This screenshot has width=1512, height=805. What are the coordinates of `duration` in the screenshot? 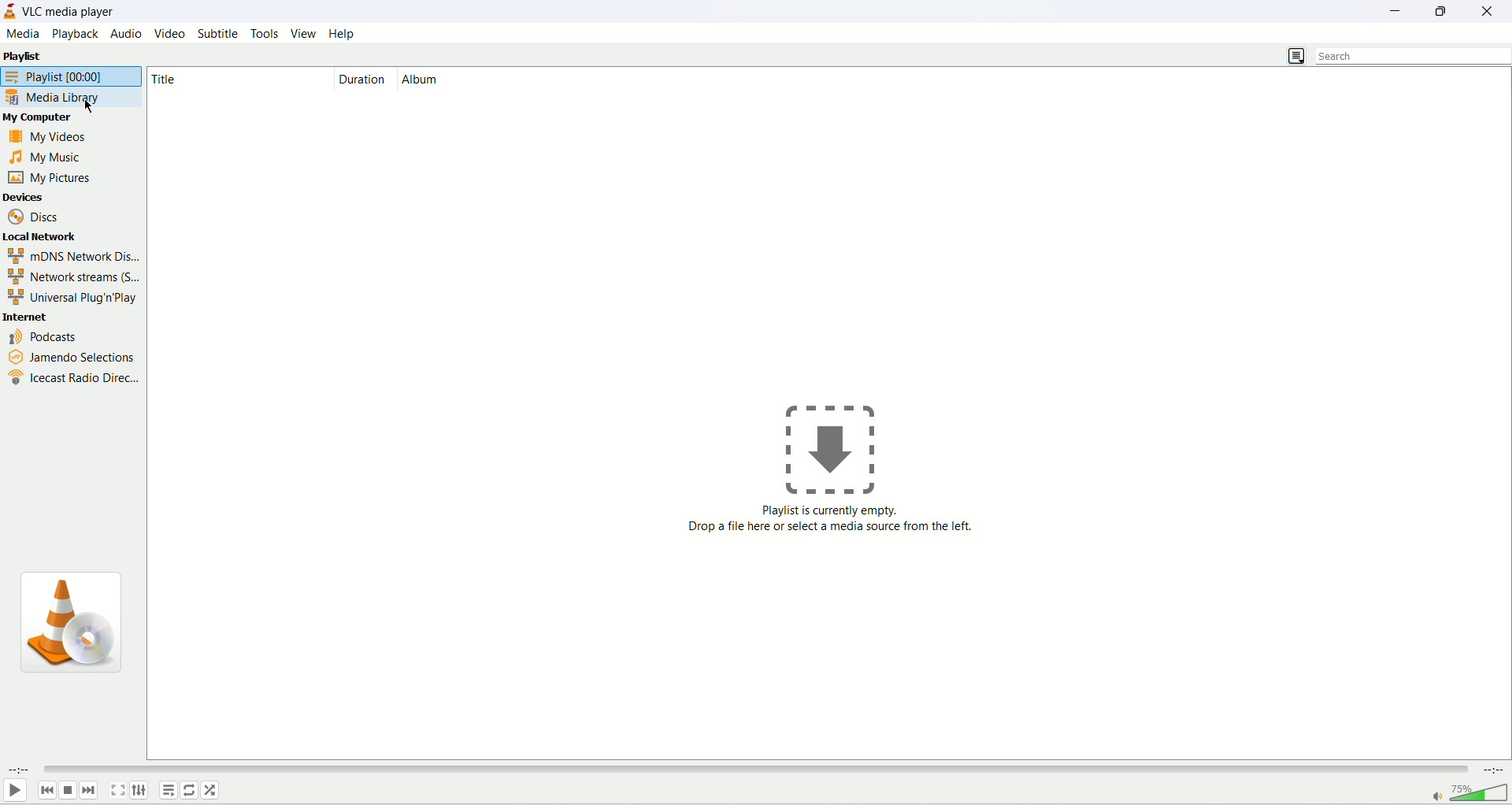 It's located at (362, 80).